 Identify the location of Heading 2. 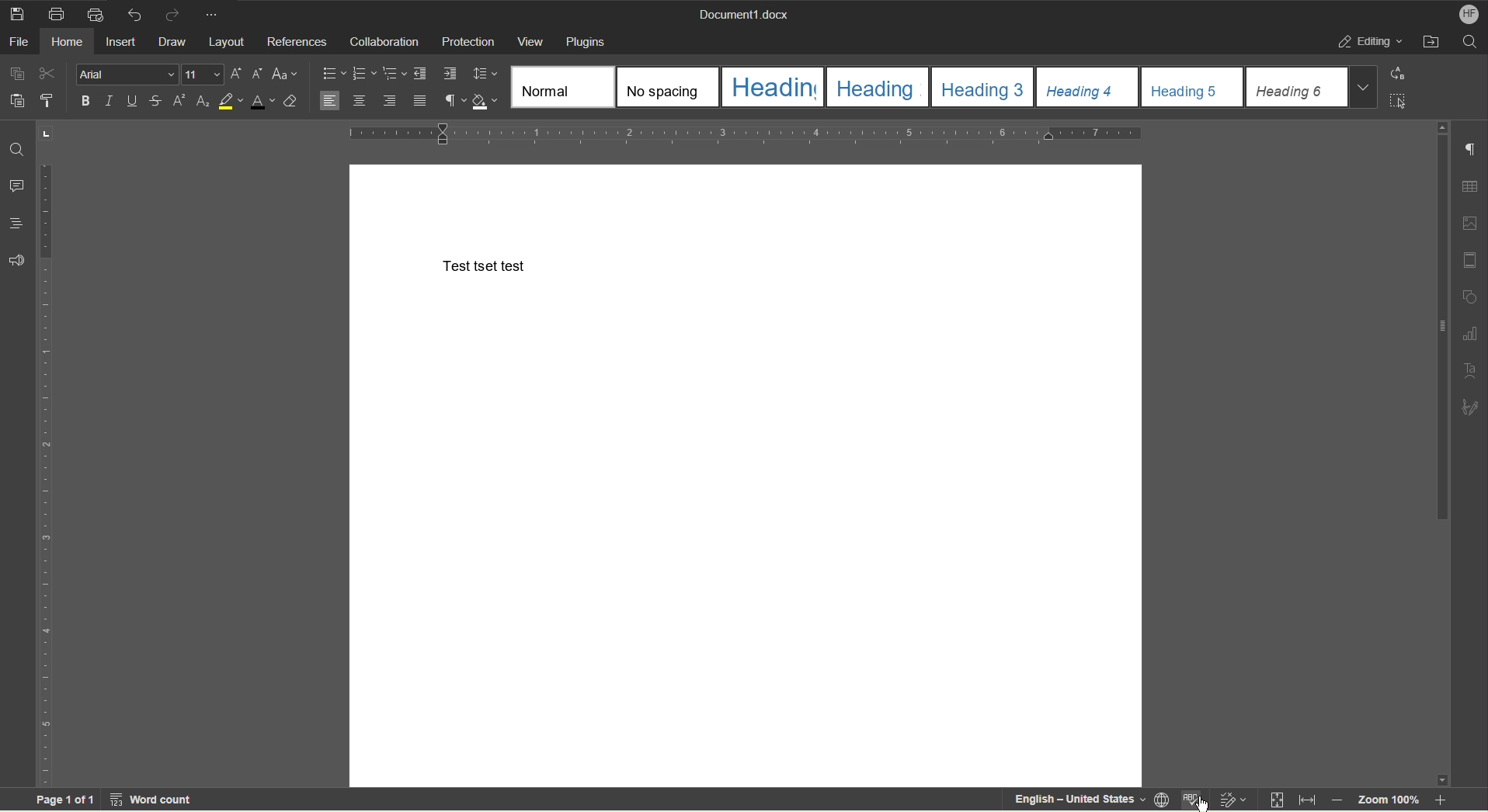
(878, 86).